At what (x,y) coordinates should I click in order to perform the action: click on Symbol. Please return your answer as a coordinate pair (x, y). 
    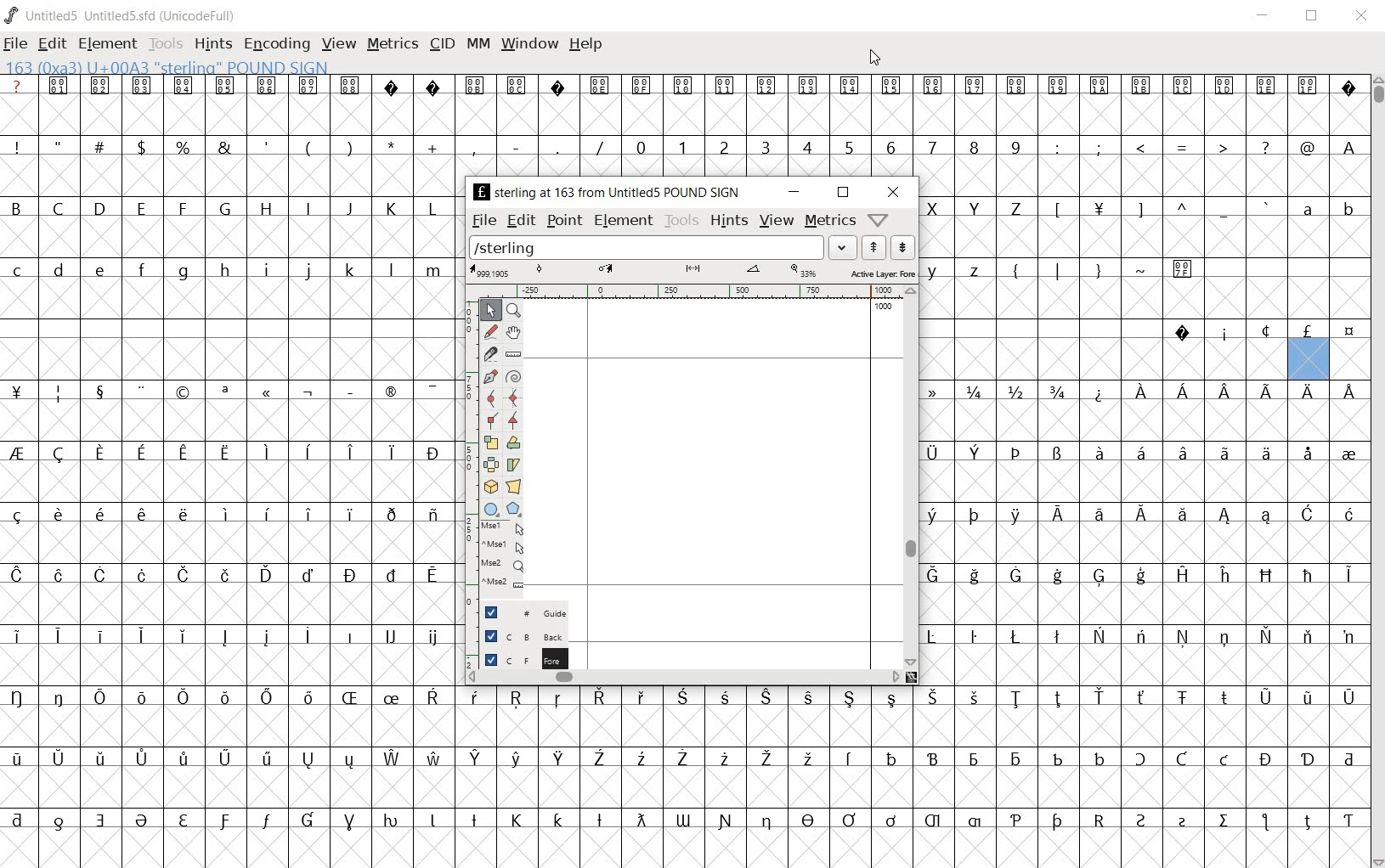
    Looking at the image, I should click on (478, 697).